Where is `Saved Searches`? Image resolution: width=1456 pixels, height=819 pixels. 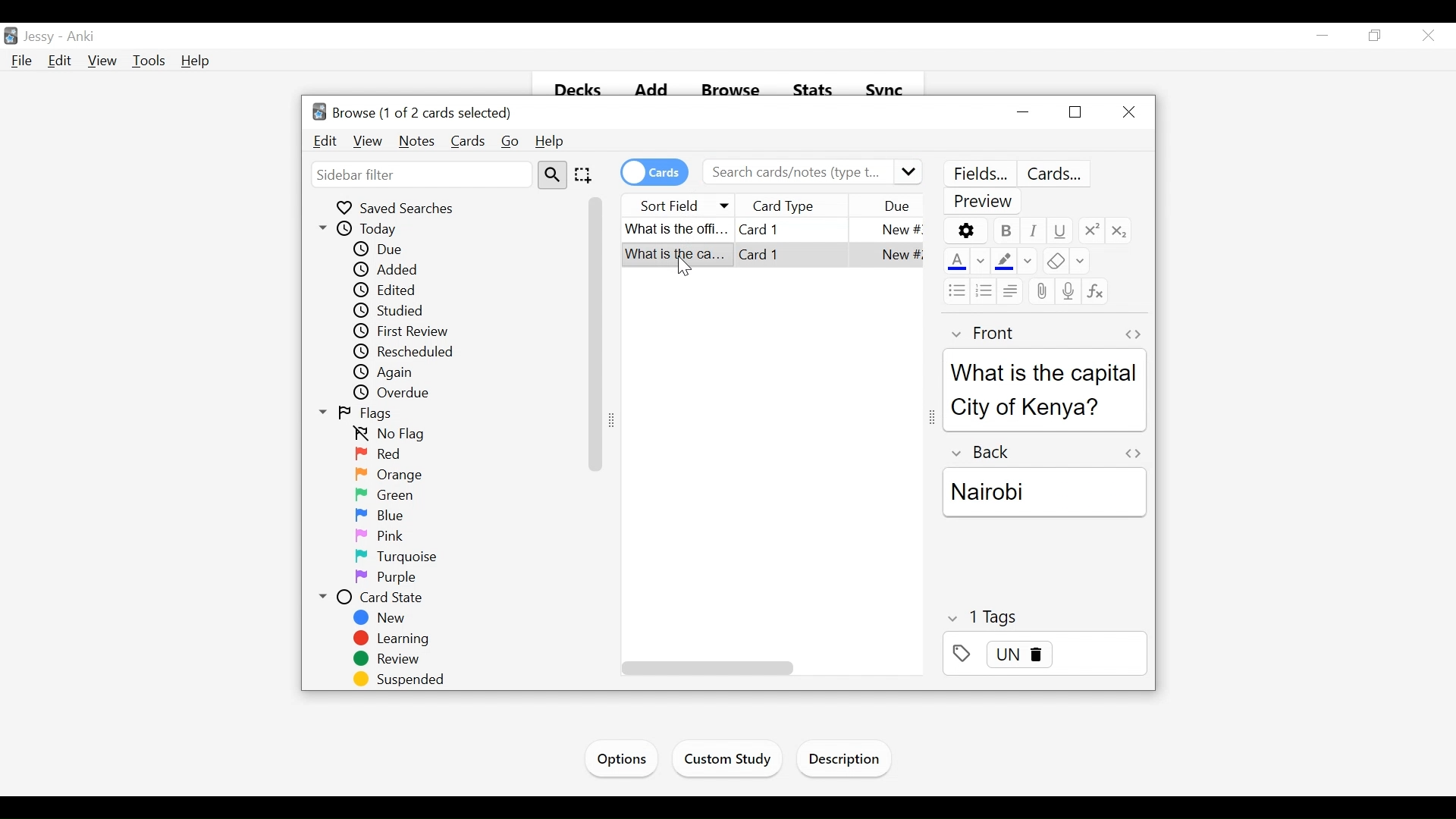 Saved Searches is located at coordinates (400, 208).